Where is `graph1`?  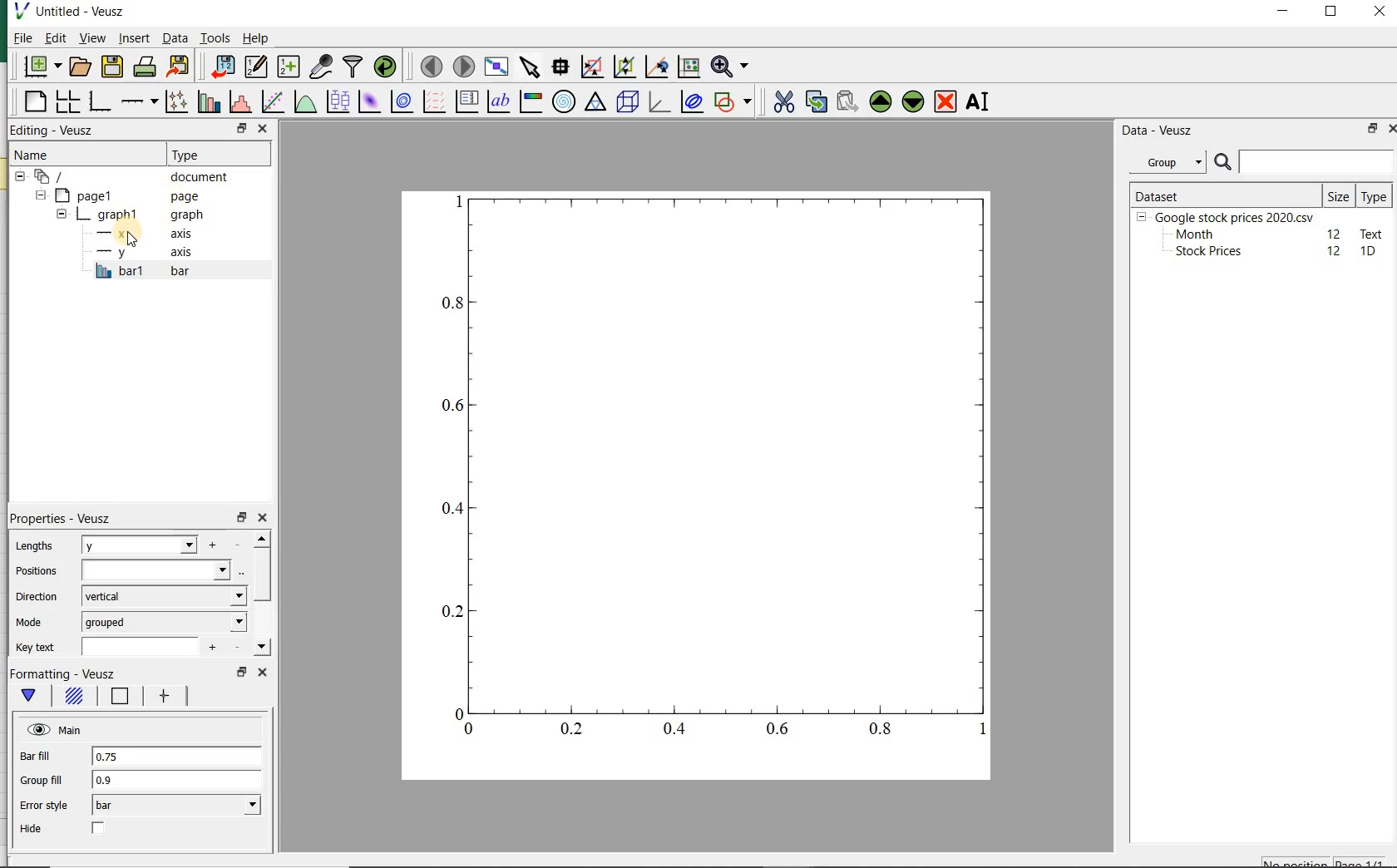 graph1 is located at coordinates (127, 216).